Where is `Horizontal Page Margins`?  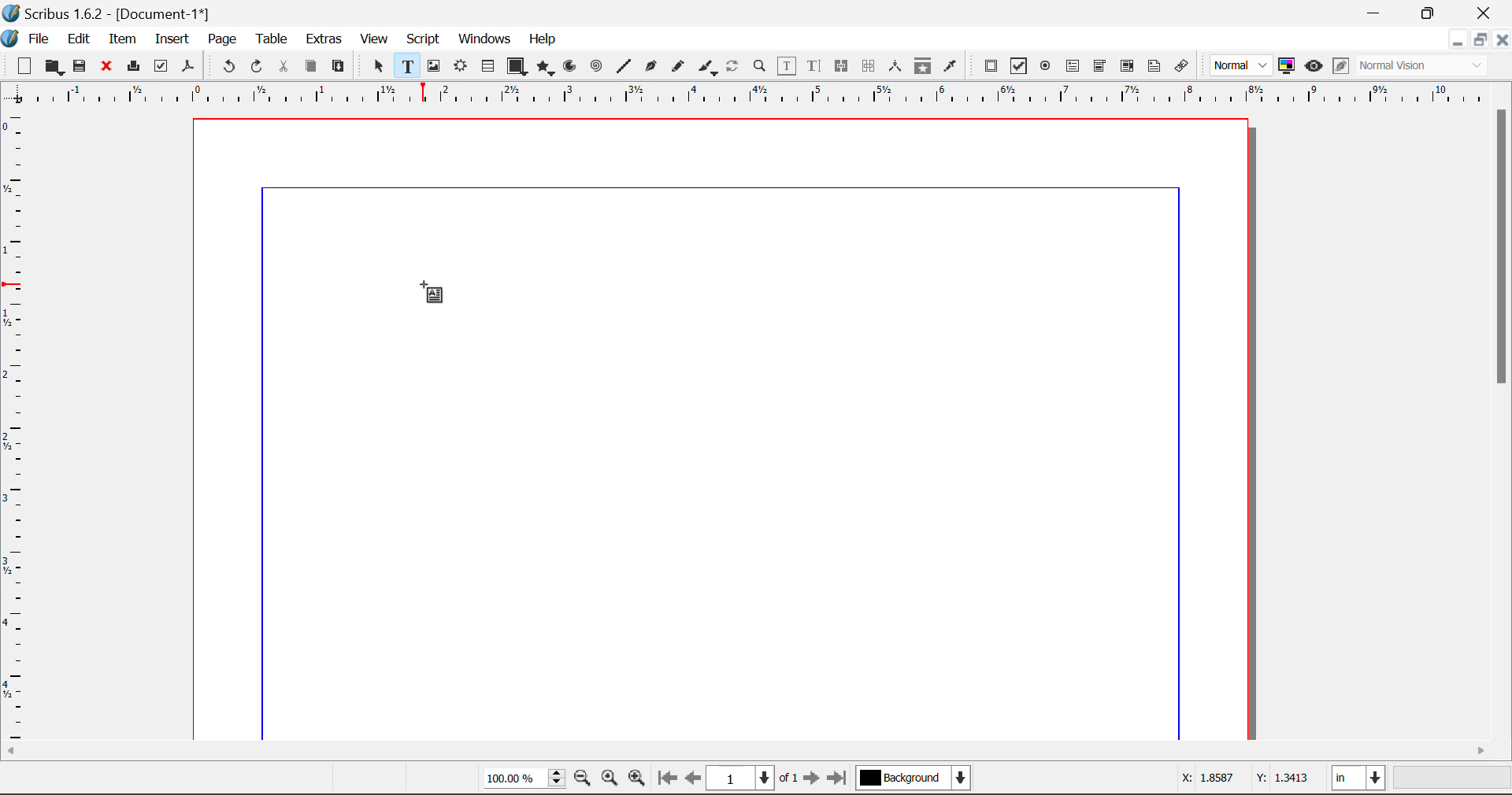
Horizontal Page Margins is located at coordinates (17, 427).